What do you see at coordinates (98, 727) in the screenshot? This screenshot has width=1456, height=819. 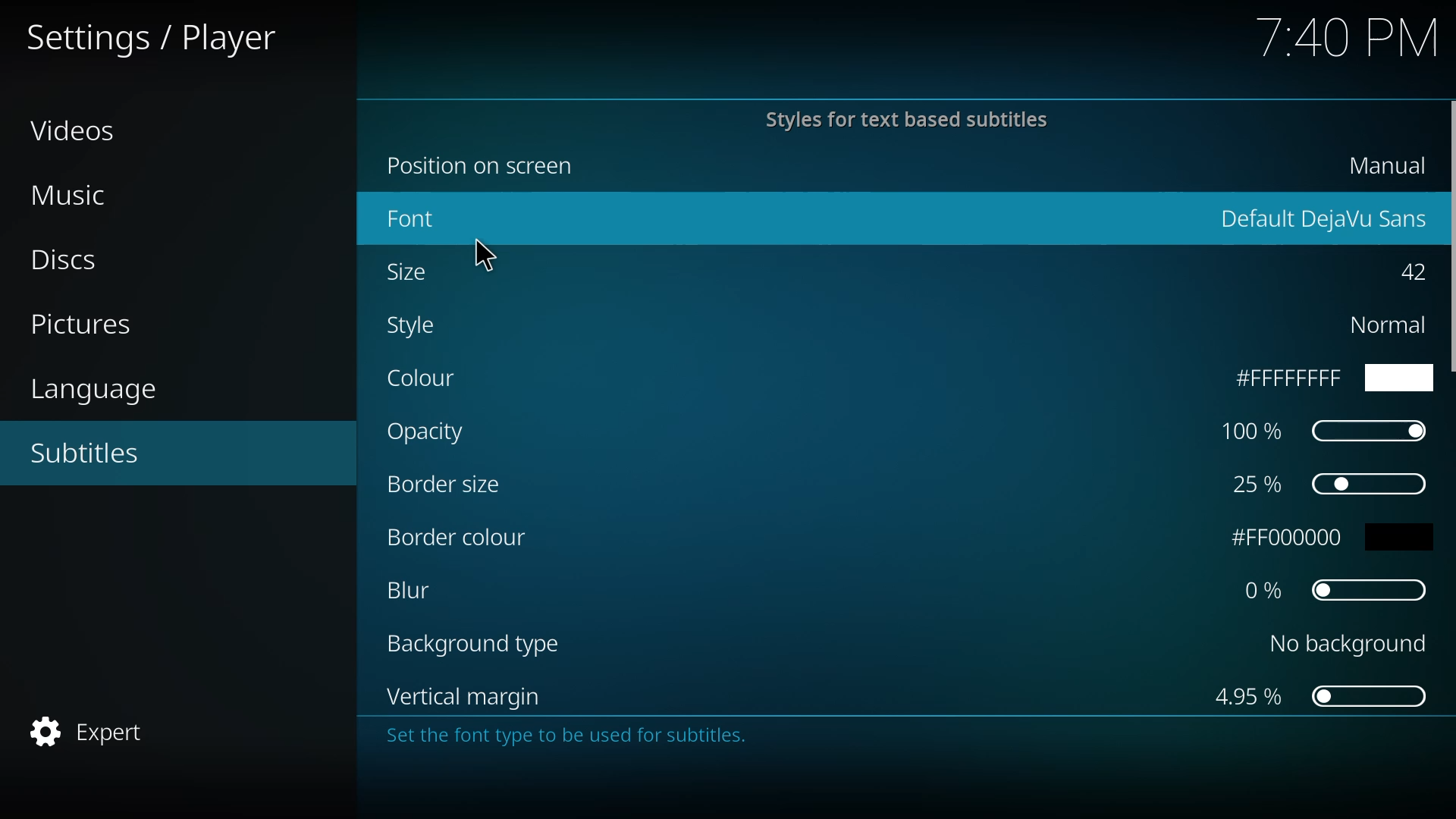 I see `expert` at bounding box center [98, 727].